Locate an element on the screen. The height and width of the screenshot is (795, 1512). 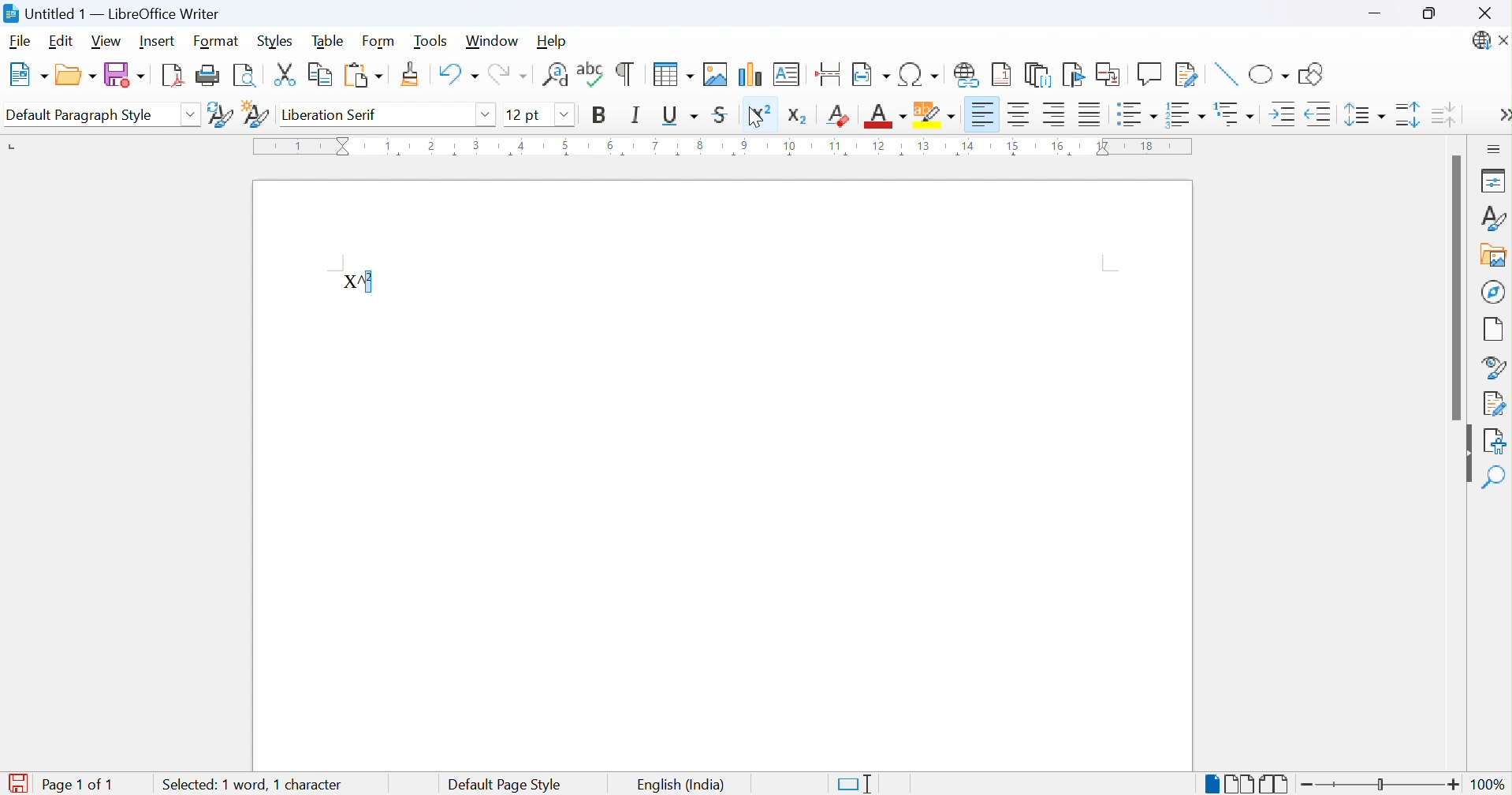
Ruler is located at coordinates (728, 146).